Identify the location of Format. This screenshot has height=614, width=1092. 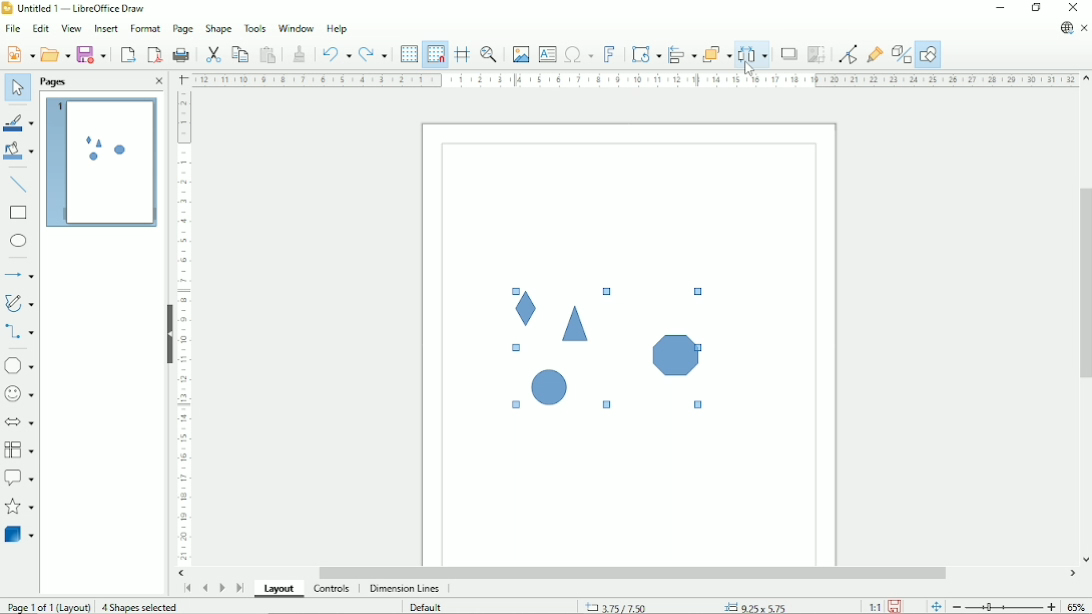
(144, 29).